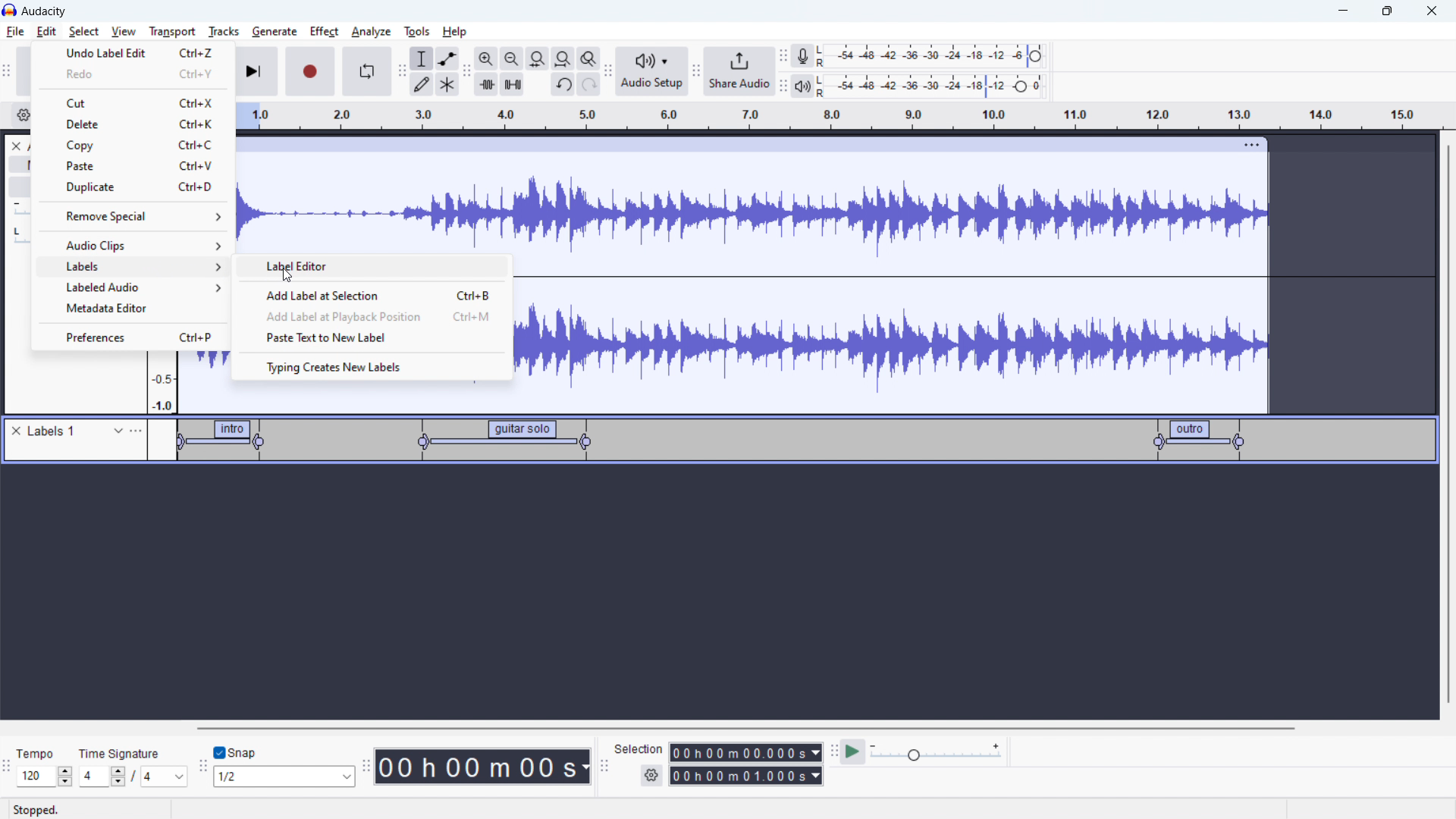  I want to click on help, so click(457, 32).